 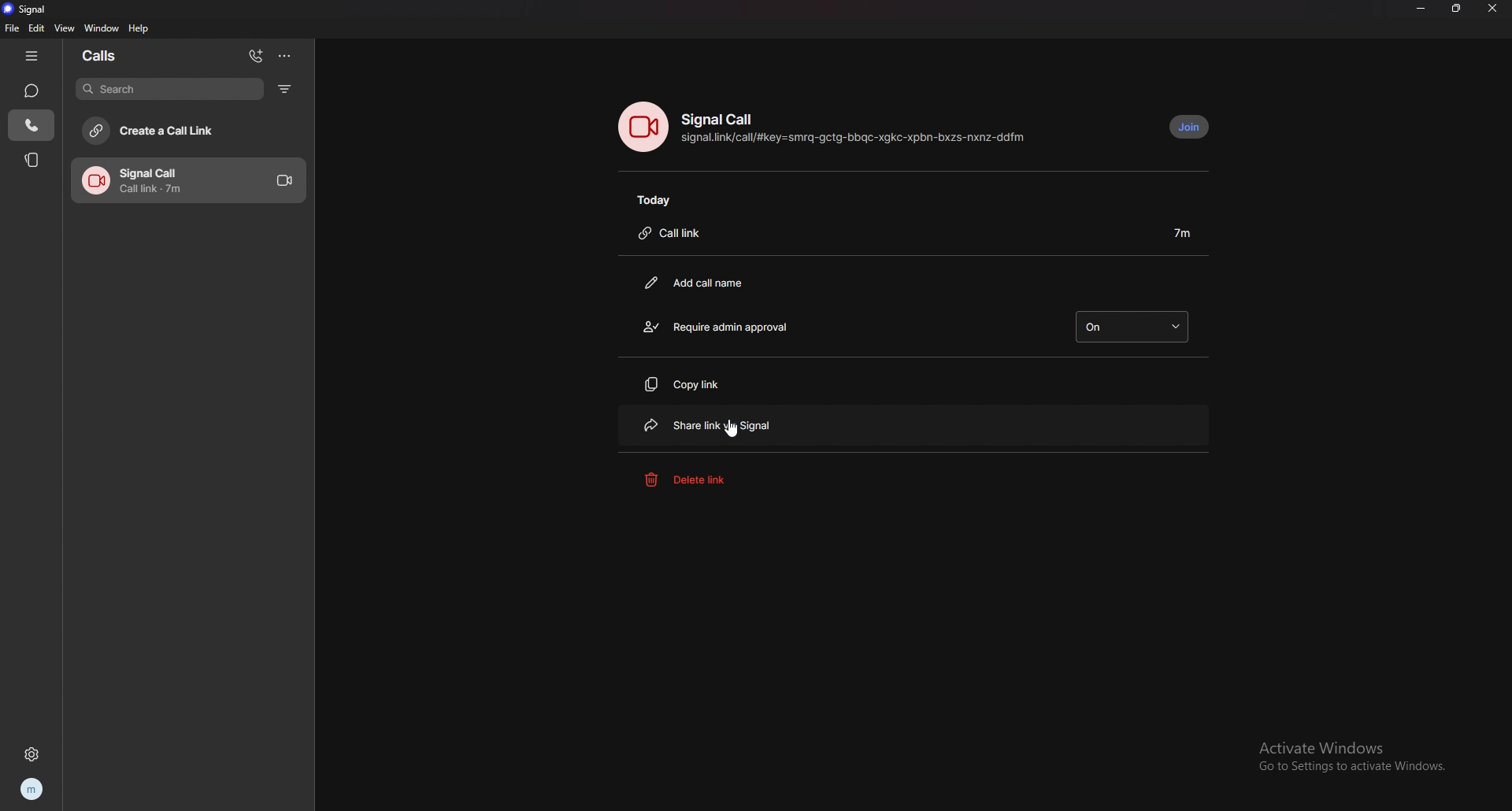 I want to click on calls, so click(x=108, y=56).